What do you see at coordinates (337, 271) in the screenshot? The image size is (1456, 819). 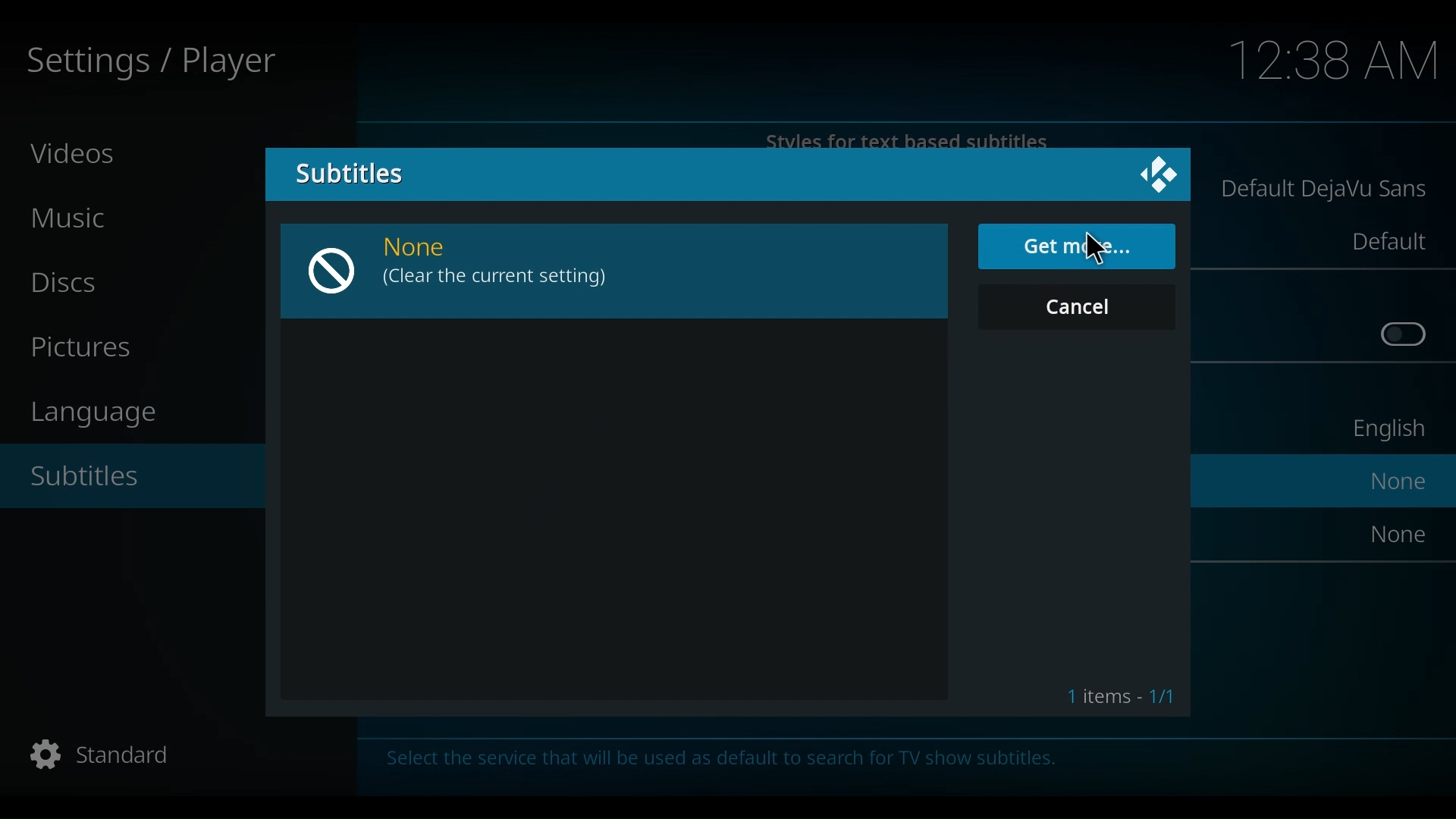 I see `Block` at bounding box center [337, 271].